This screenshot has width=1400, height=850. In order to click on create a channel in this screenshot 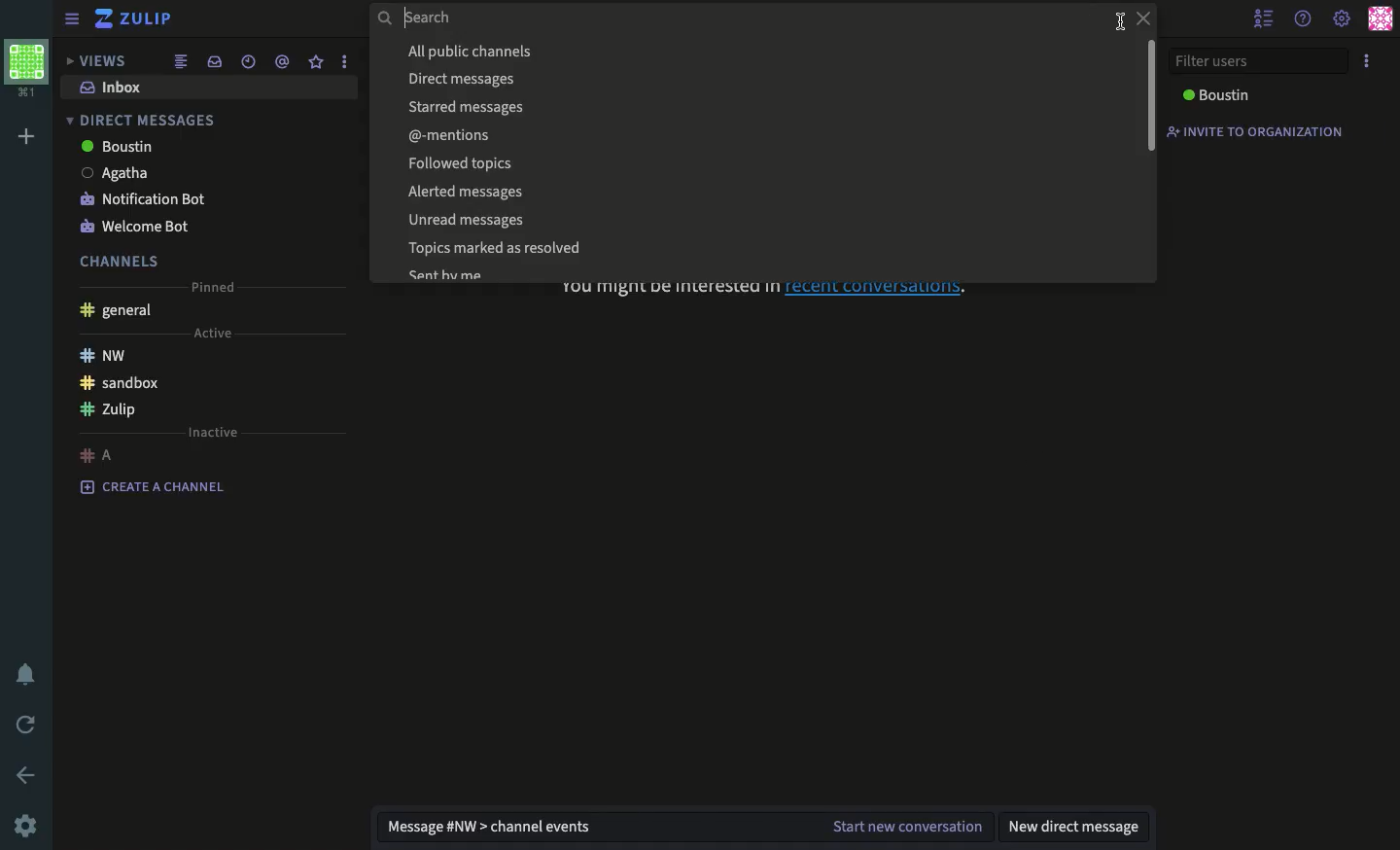, I will do `click(153, 490)`.